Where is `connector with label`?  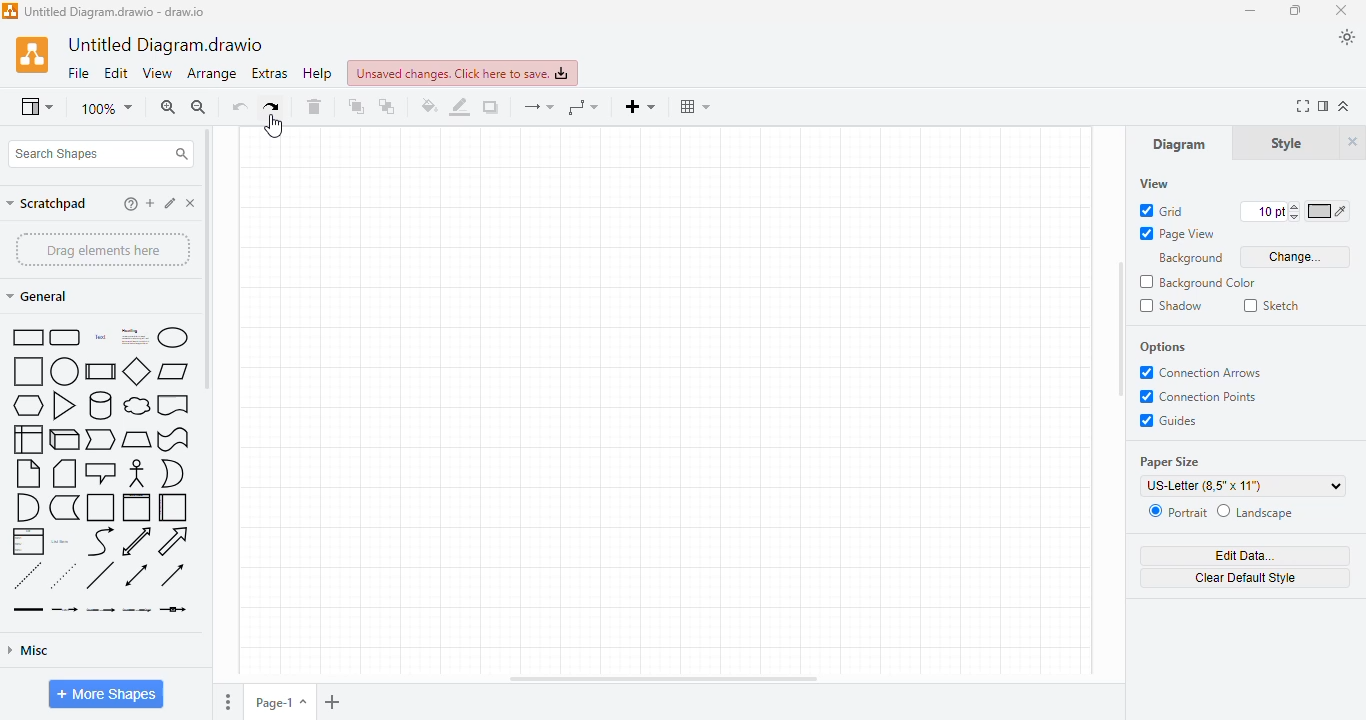
connector with label is located at coordinates (65, 609).